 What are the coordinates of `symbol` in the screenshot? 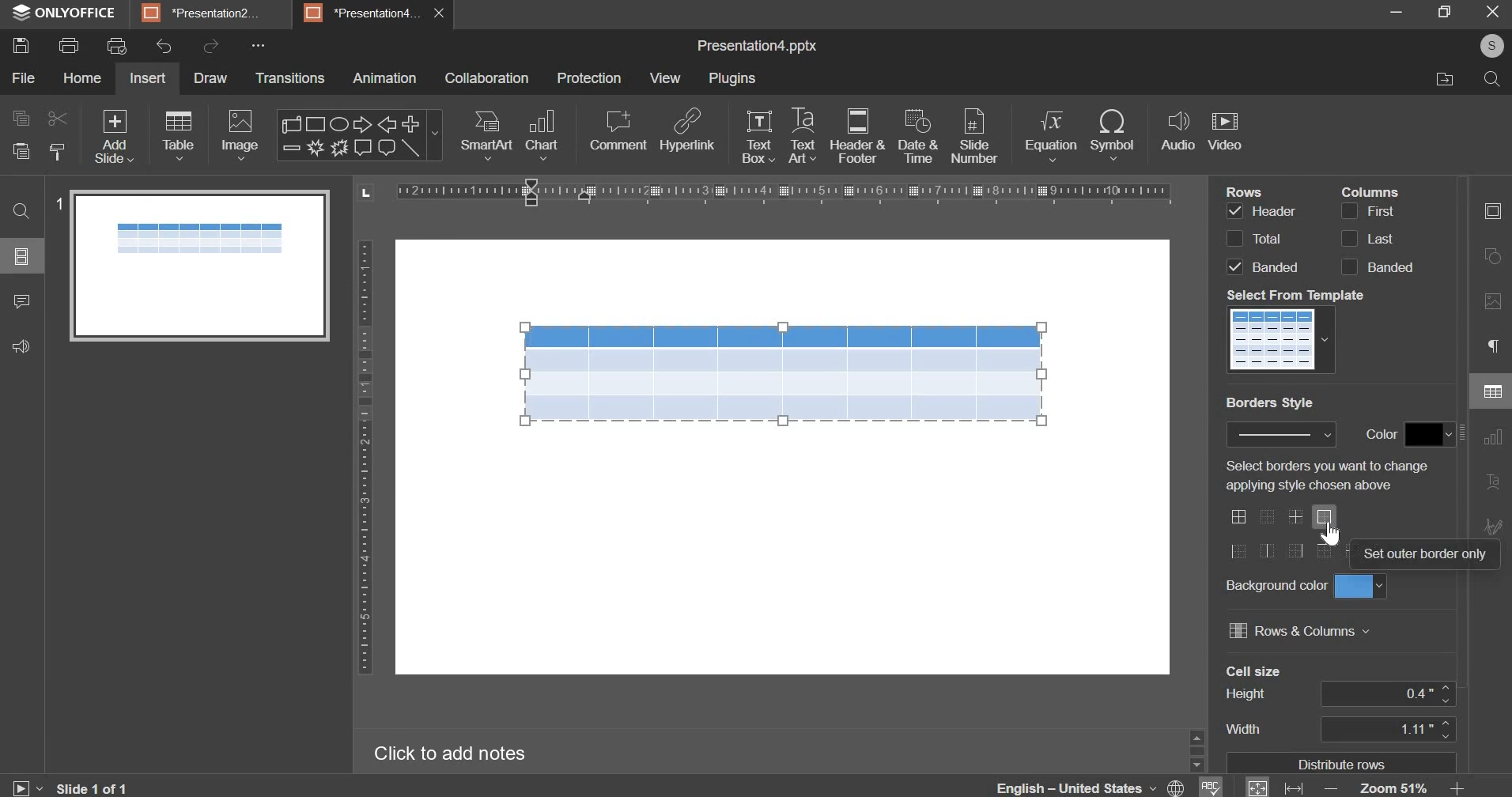 It's located at (1117, 135).